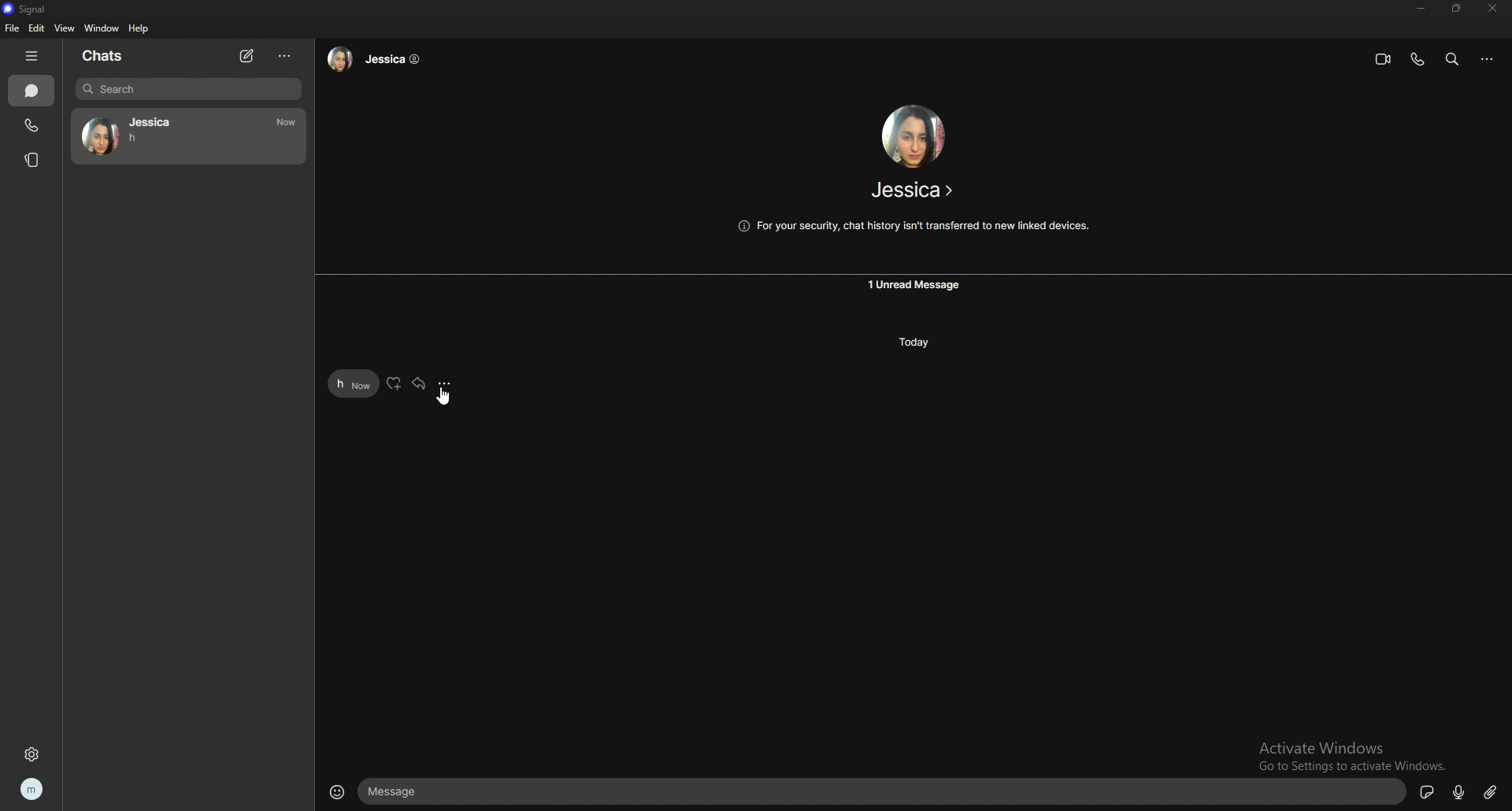 Image resolution: width=1512 pixels, height=811 pixels. I want to click on hide tabs, so click(32, 54).